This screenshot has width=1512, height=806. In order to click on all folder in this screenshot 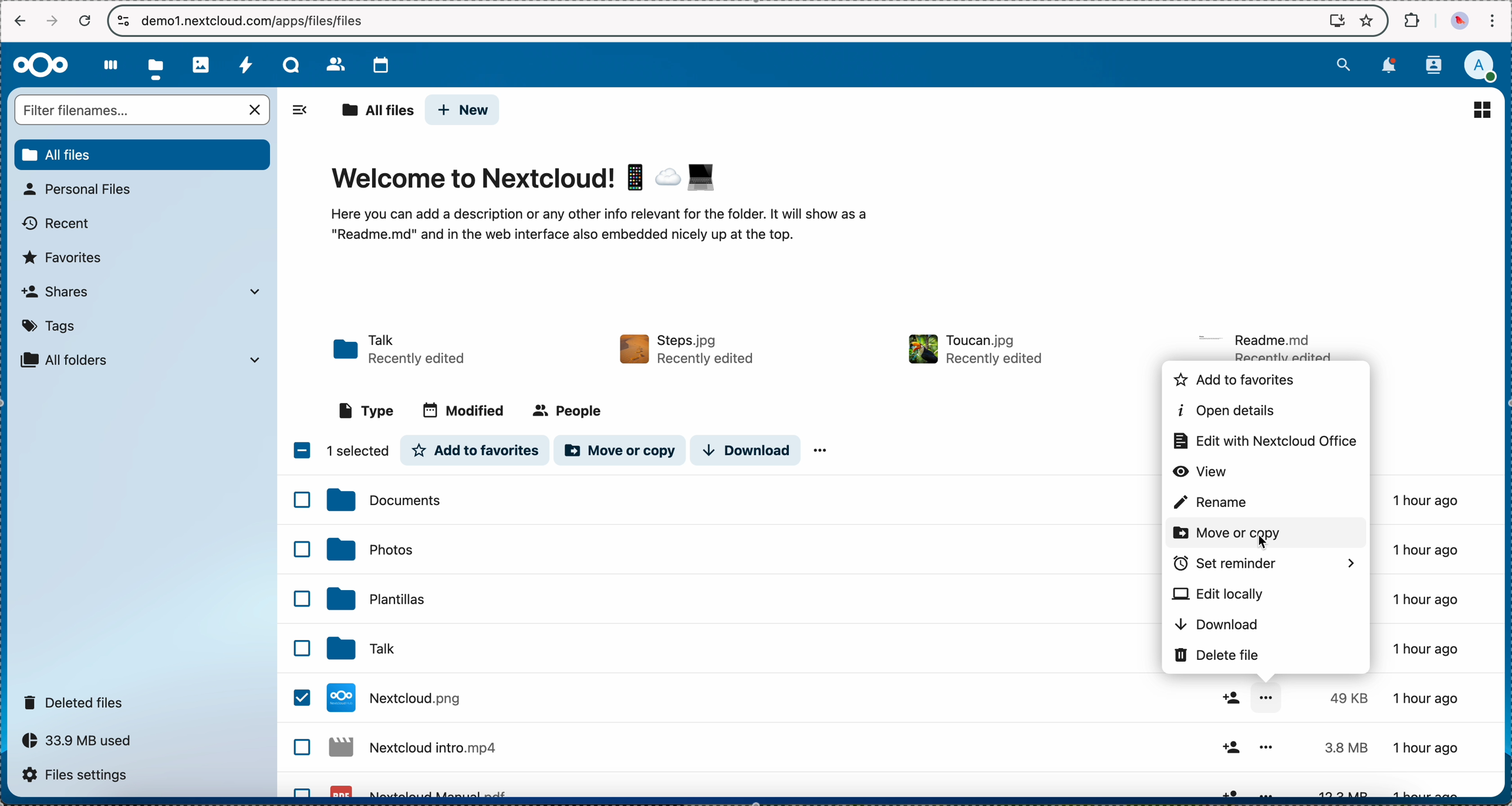, I will do `click(146, 359)`.